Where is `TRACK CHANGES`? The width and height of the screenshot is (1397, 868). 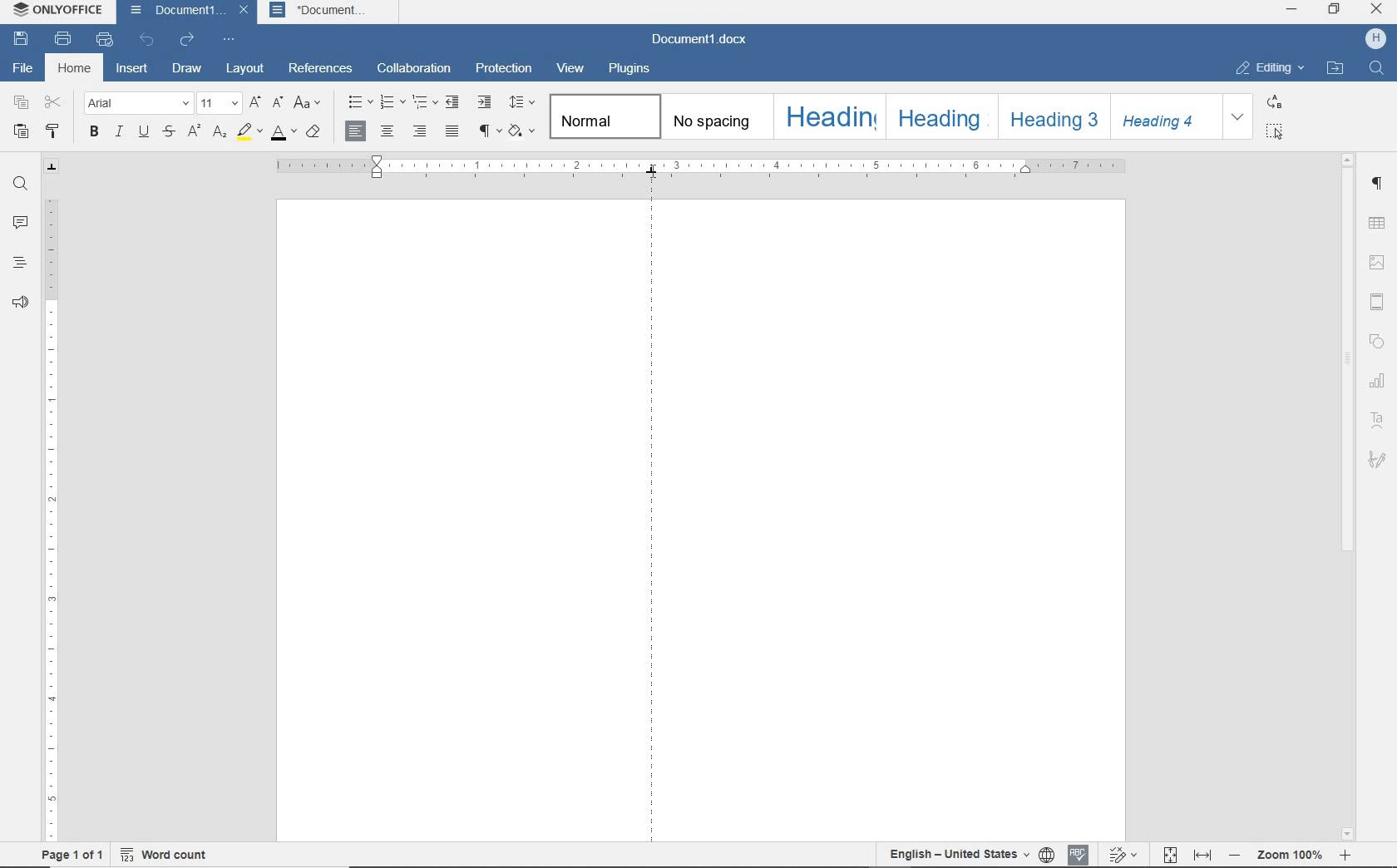 TRACK CHANGES is located at coordinates (1124, 855).